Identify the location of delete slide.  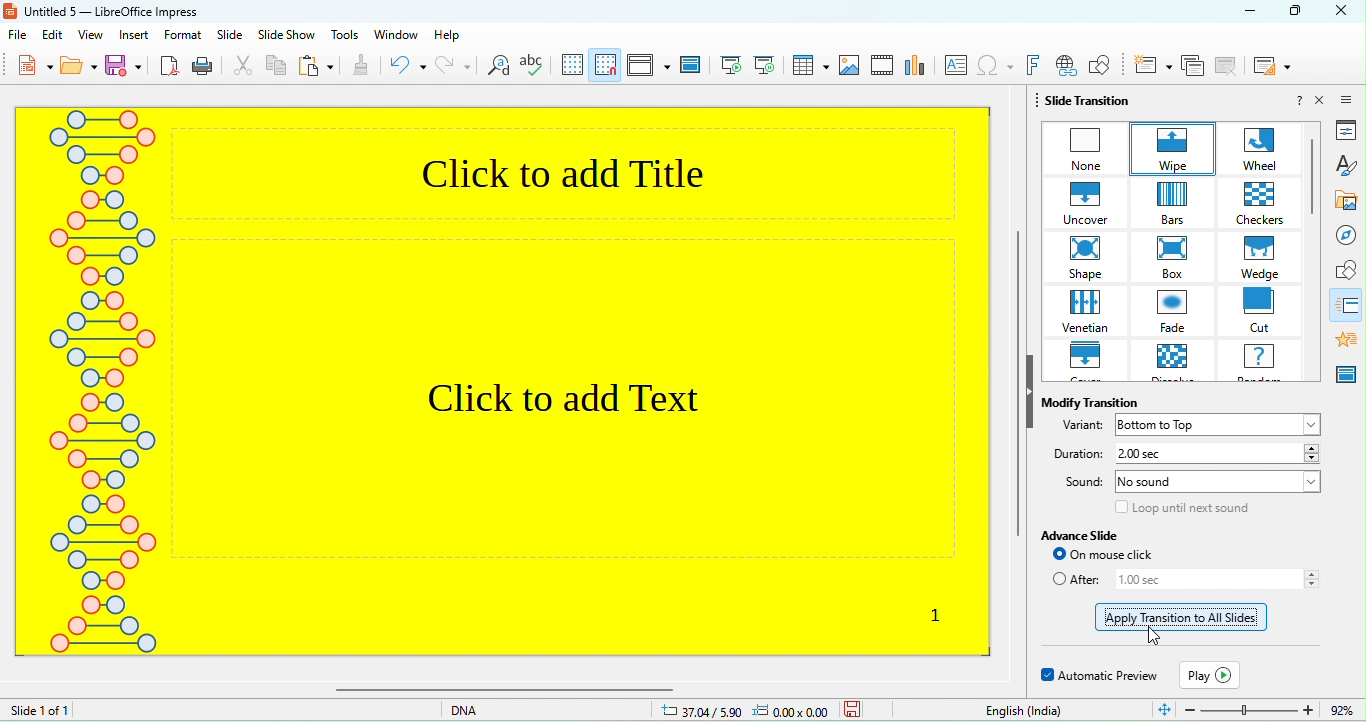
(1226, 67).